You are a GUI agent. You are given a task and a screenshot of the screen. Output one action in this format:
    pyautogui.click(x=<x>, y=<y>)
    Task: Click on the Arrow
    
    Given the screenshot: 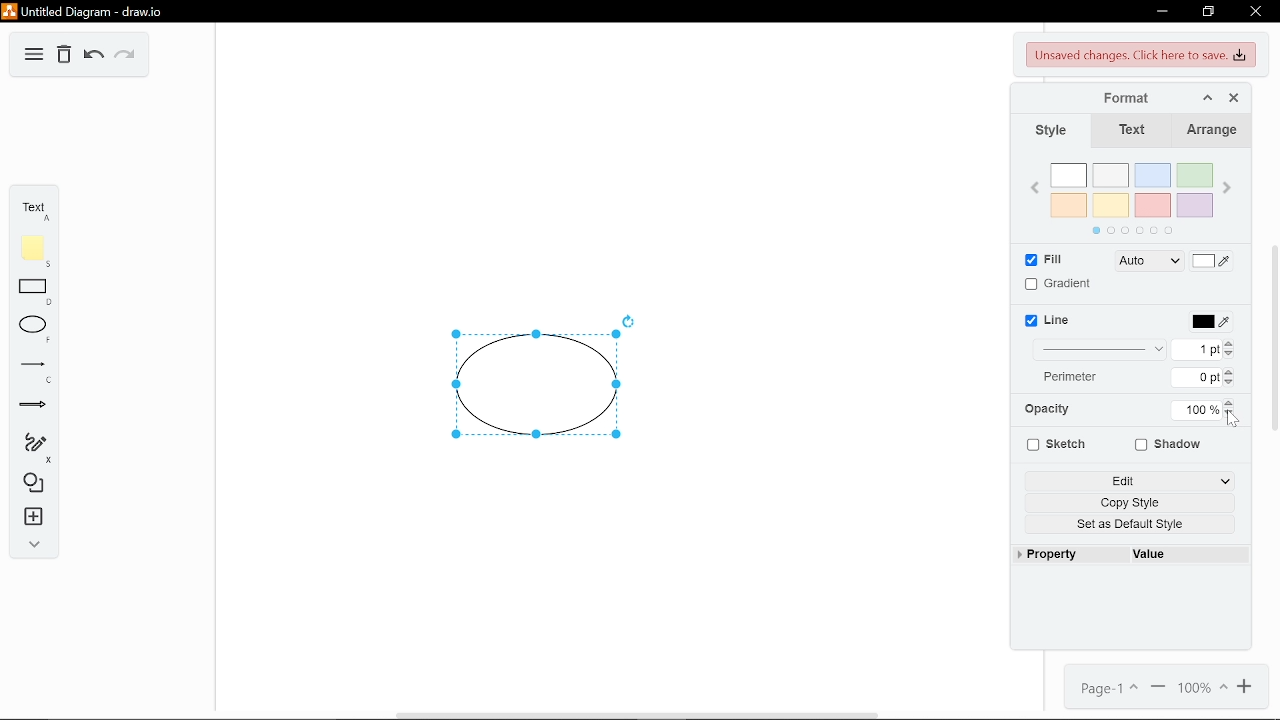 What is the action you would take?
    pyautogui.click(x=33, y=402)
    